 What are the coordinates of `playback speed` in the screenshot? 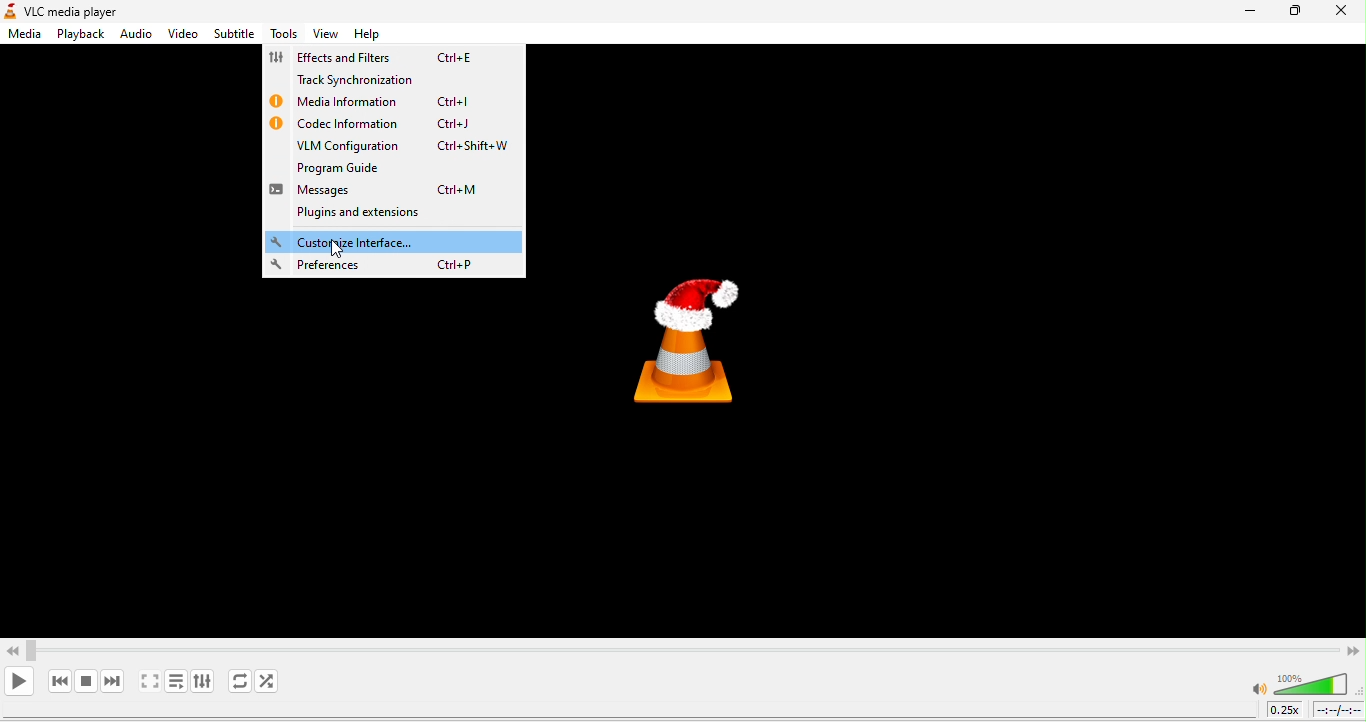 It's located at (1285, 711).